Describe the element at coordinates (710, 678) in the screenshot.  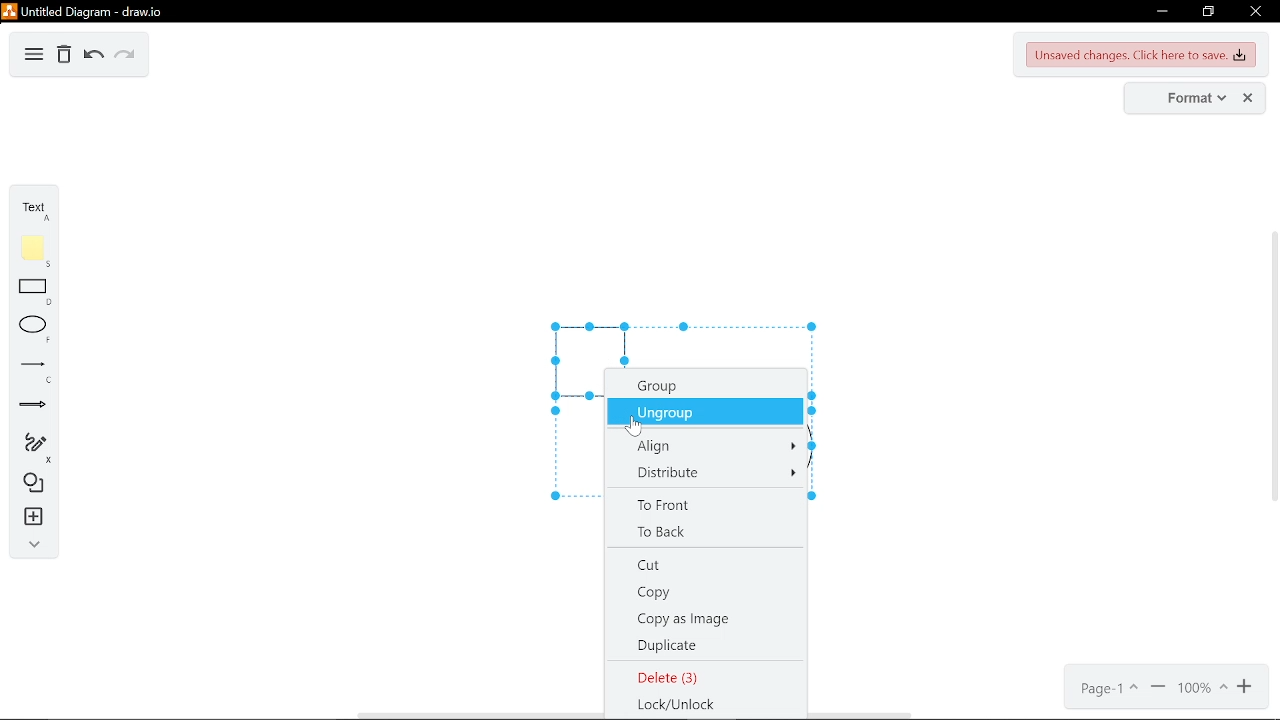
I see `delete` at that location.